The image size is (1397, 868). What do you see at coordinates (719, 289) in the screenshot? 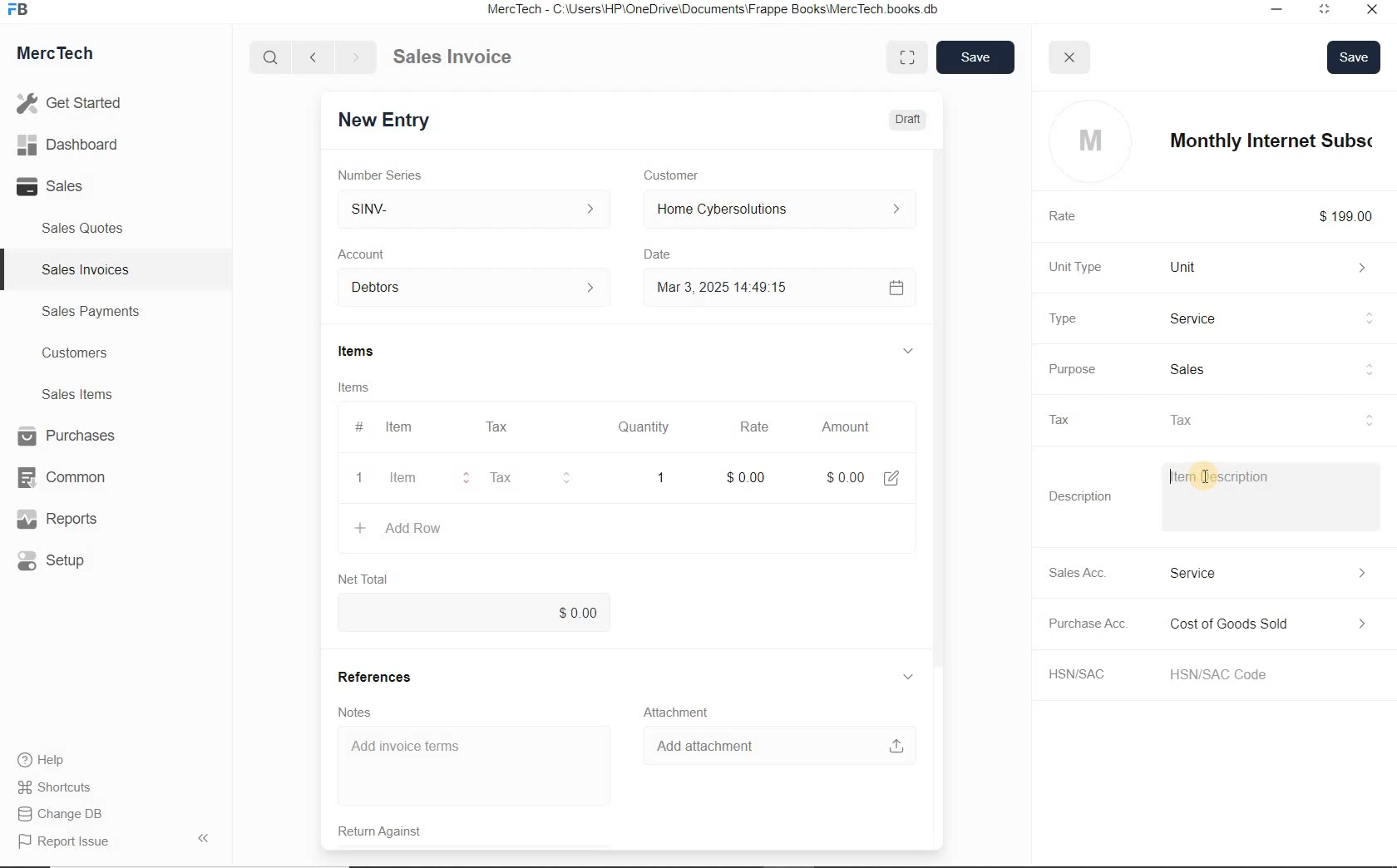
I see `Mar 3, 2025 14:49:15` at bounding box center [719, 289].